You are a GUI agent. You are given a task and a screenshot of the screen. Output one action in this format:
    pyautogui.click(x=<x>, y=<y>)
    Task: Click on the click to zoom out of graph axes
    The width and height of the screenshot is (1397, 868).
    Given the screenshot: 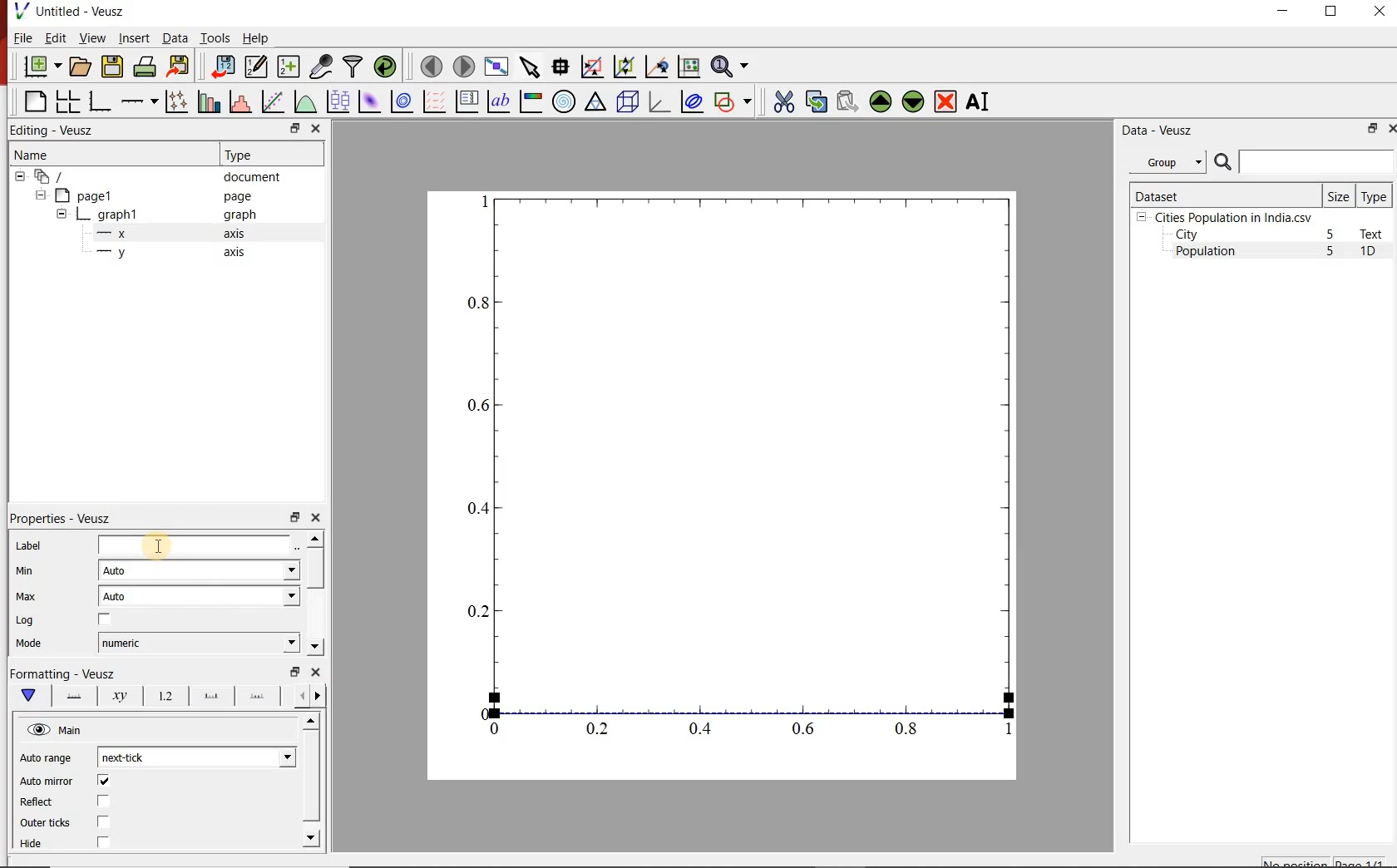 What is the action you would take?
    pyautogui.click(x=622, y=68)
    